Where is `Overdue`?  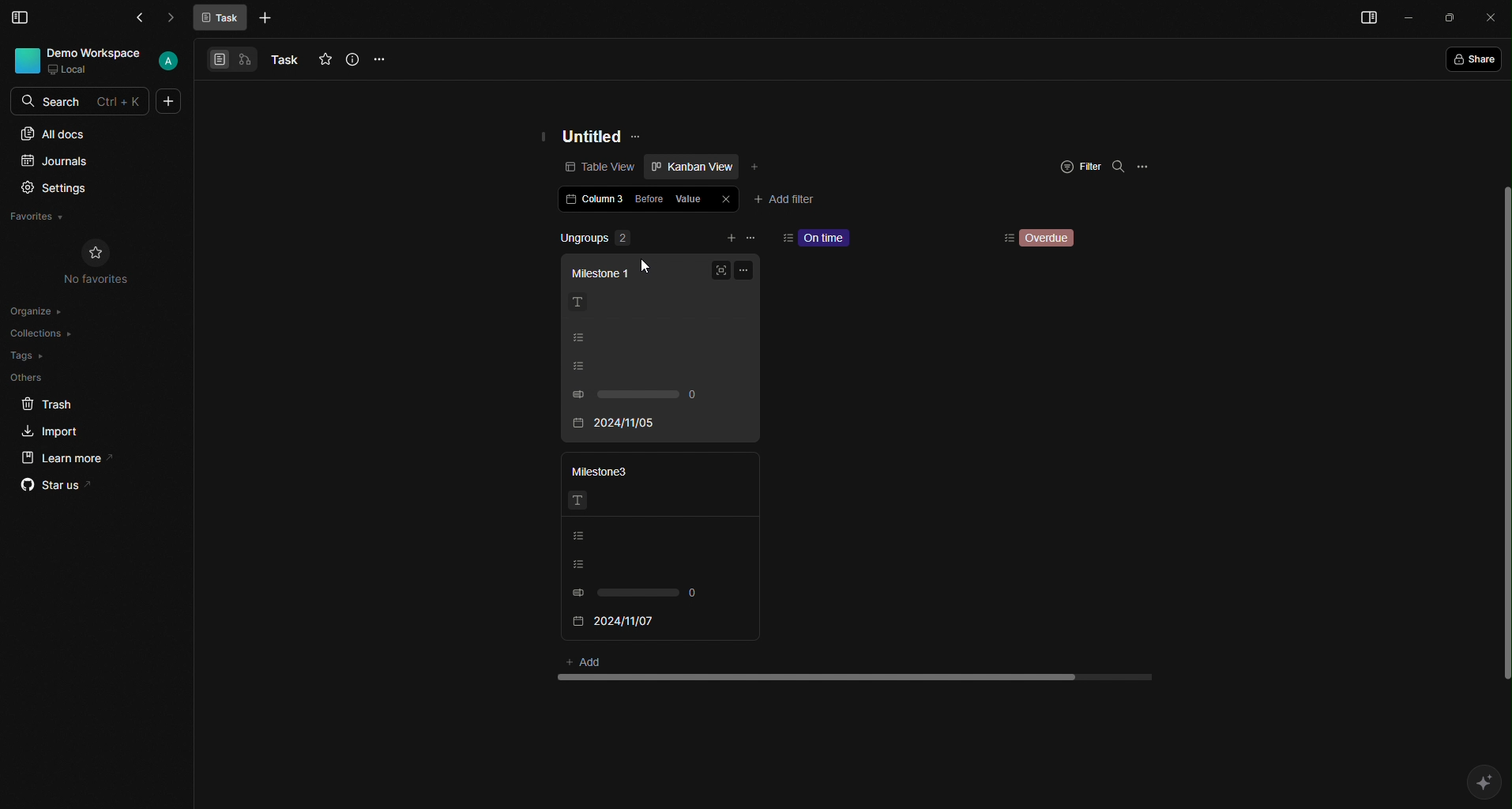 Overdue is located at coordinates (1050, 239).